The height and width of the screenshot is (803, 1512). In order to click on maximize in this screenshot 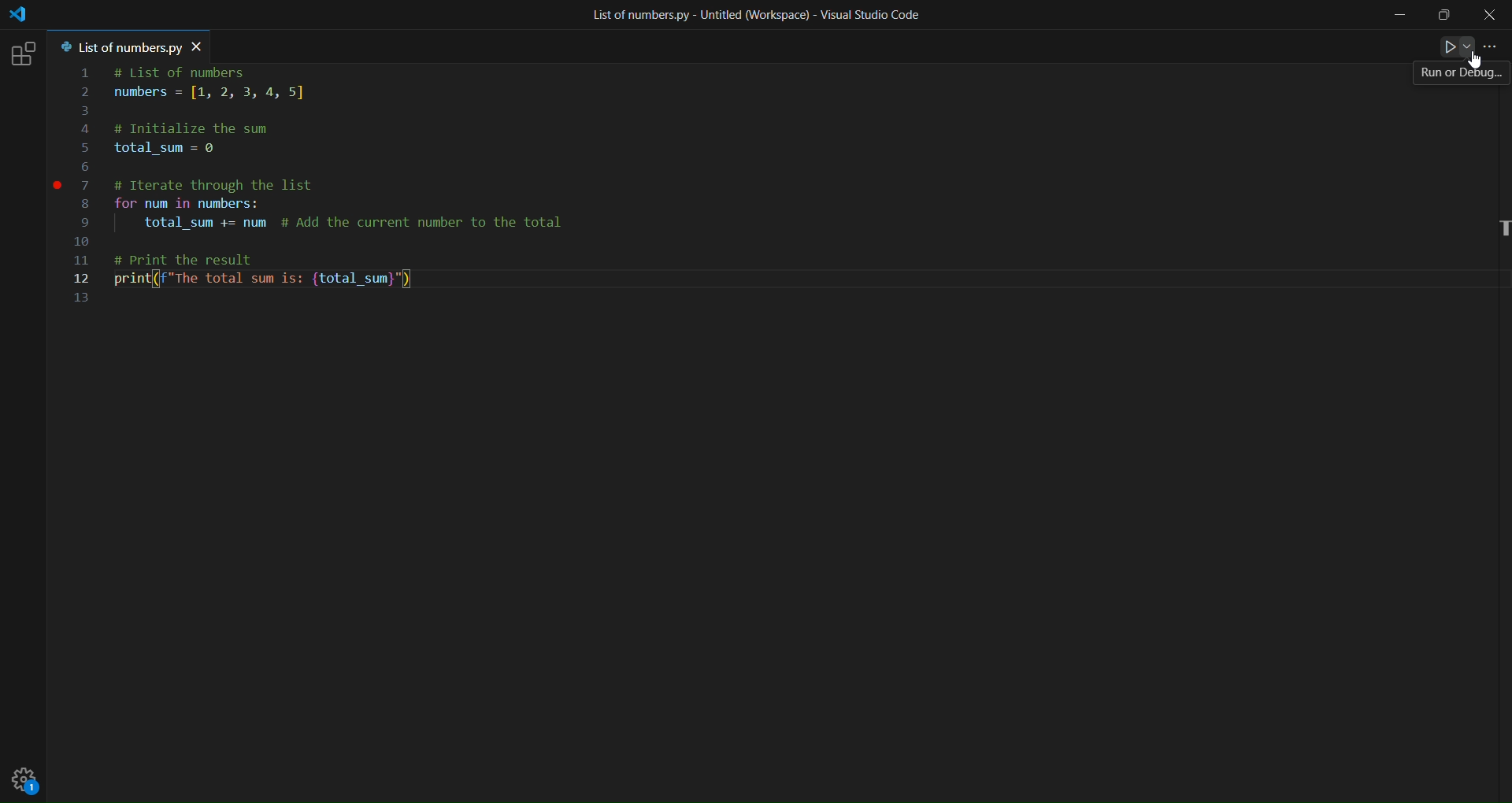, I will do `click(1441, 18)`.